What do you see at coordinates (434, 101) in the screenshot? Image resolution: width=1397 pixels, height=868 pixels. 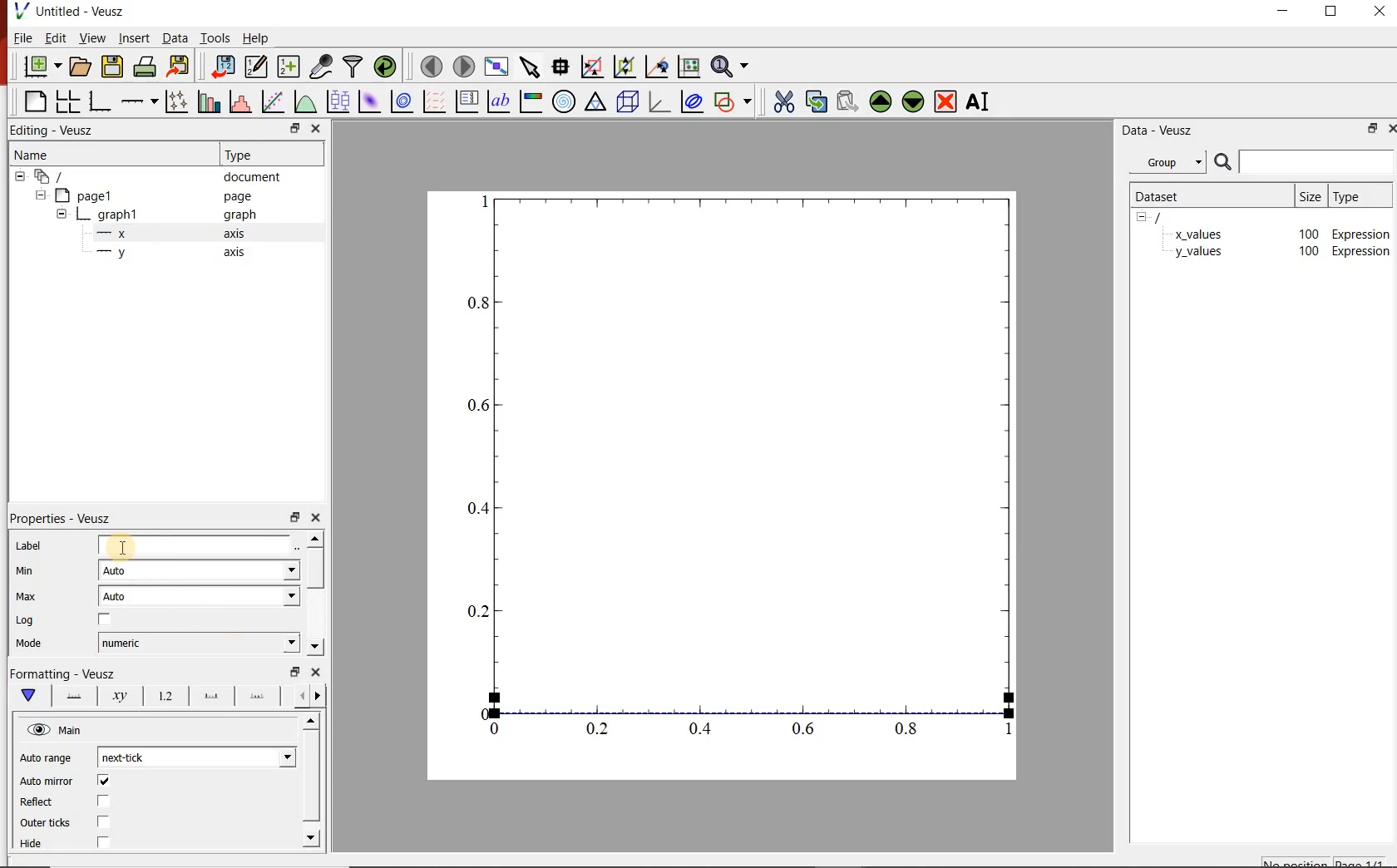 I see `plot vector field` at bounding box center [434, 101].